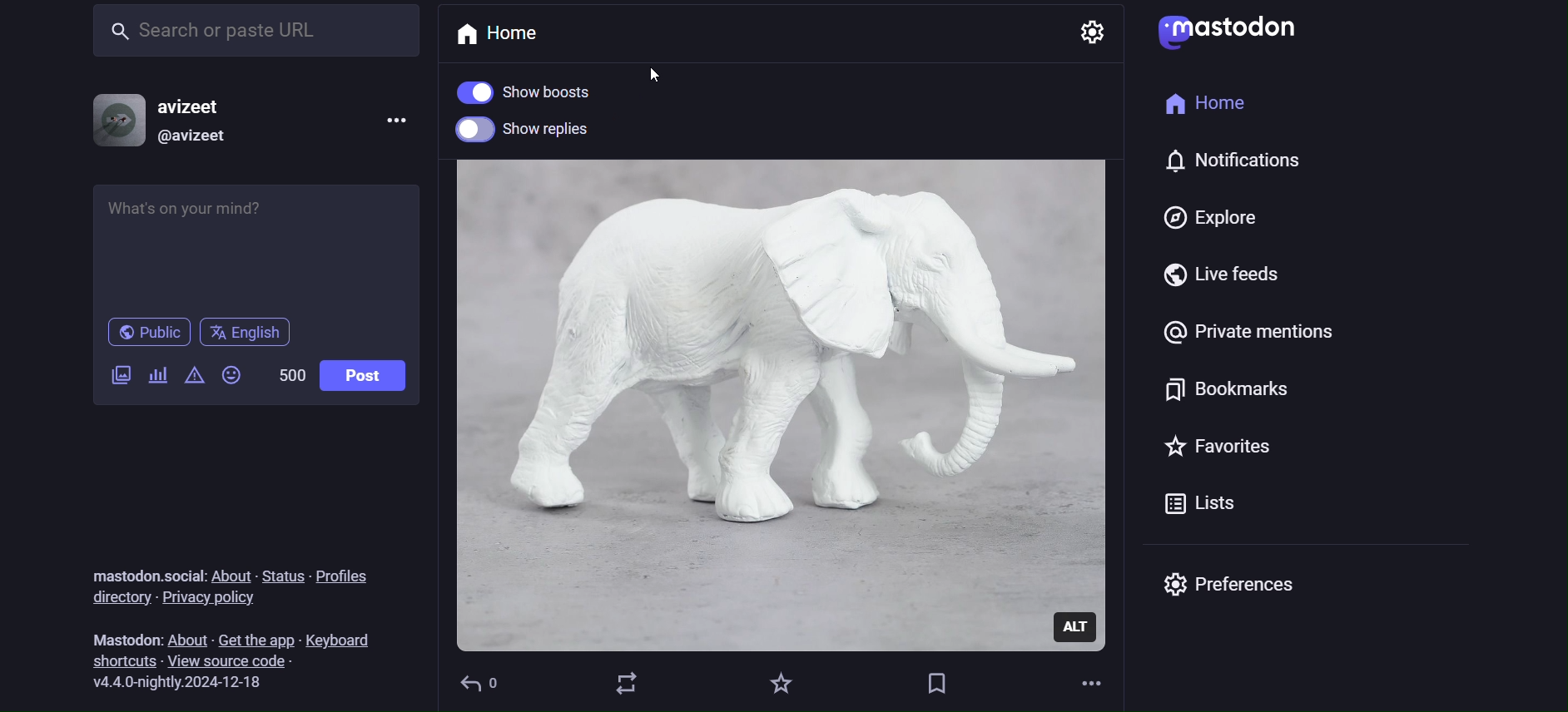  What do you see at coordinates (345, 636) in the screenshot?
I see `keyboard` at bounding box center [345, 636].